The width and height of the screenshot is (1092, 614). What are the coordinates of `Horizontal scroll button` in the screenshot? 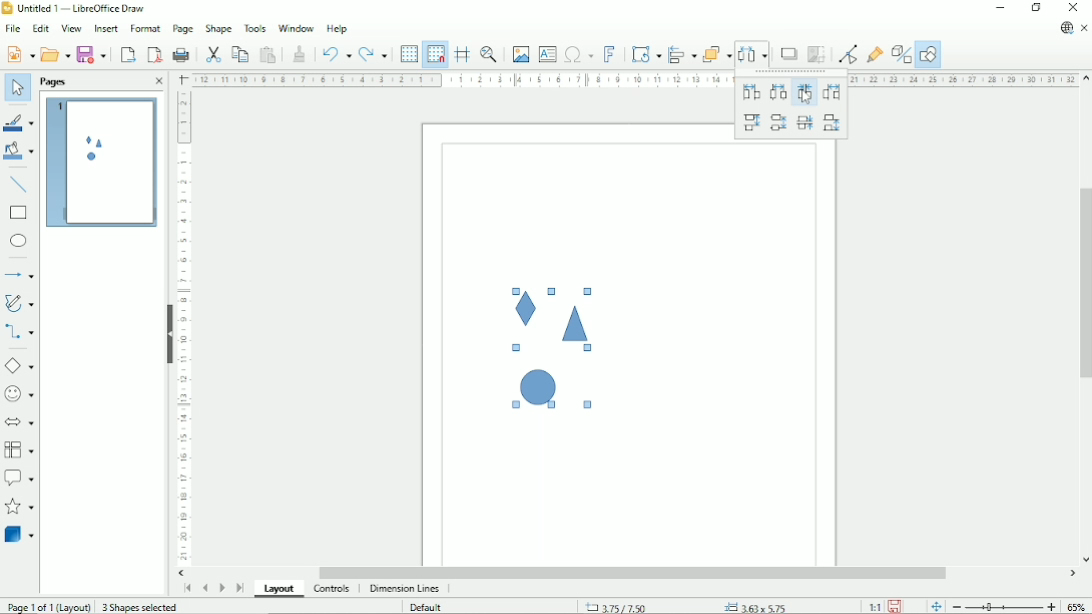 It's located at (183, 573).